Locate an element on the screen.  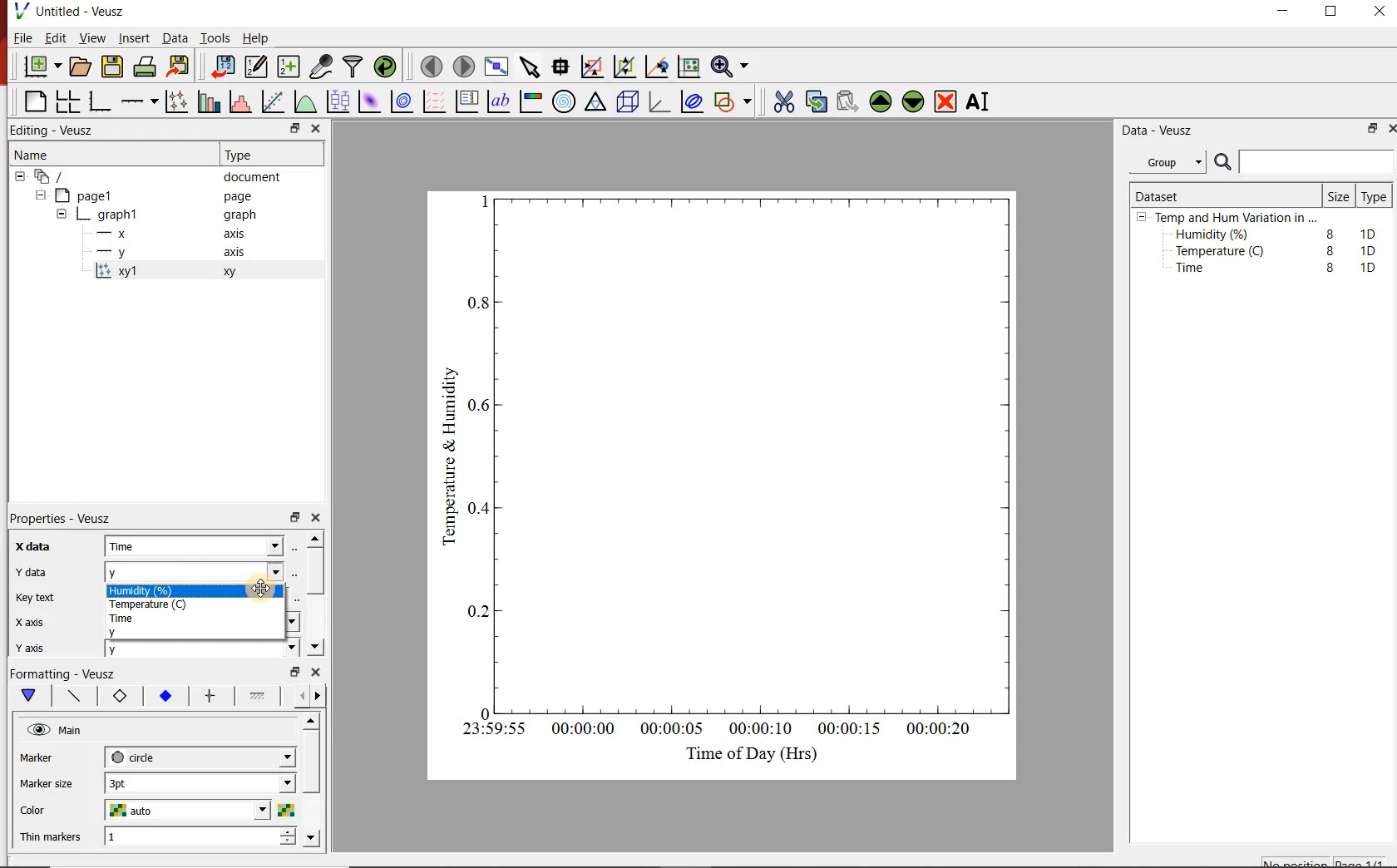
click to recenter graph axes is located at coordinates (657, 67).